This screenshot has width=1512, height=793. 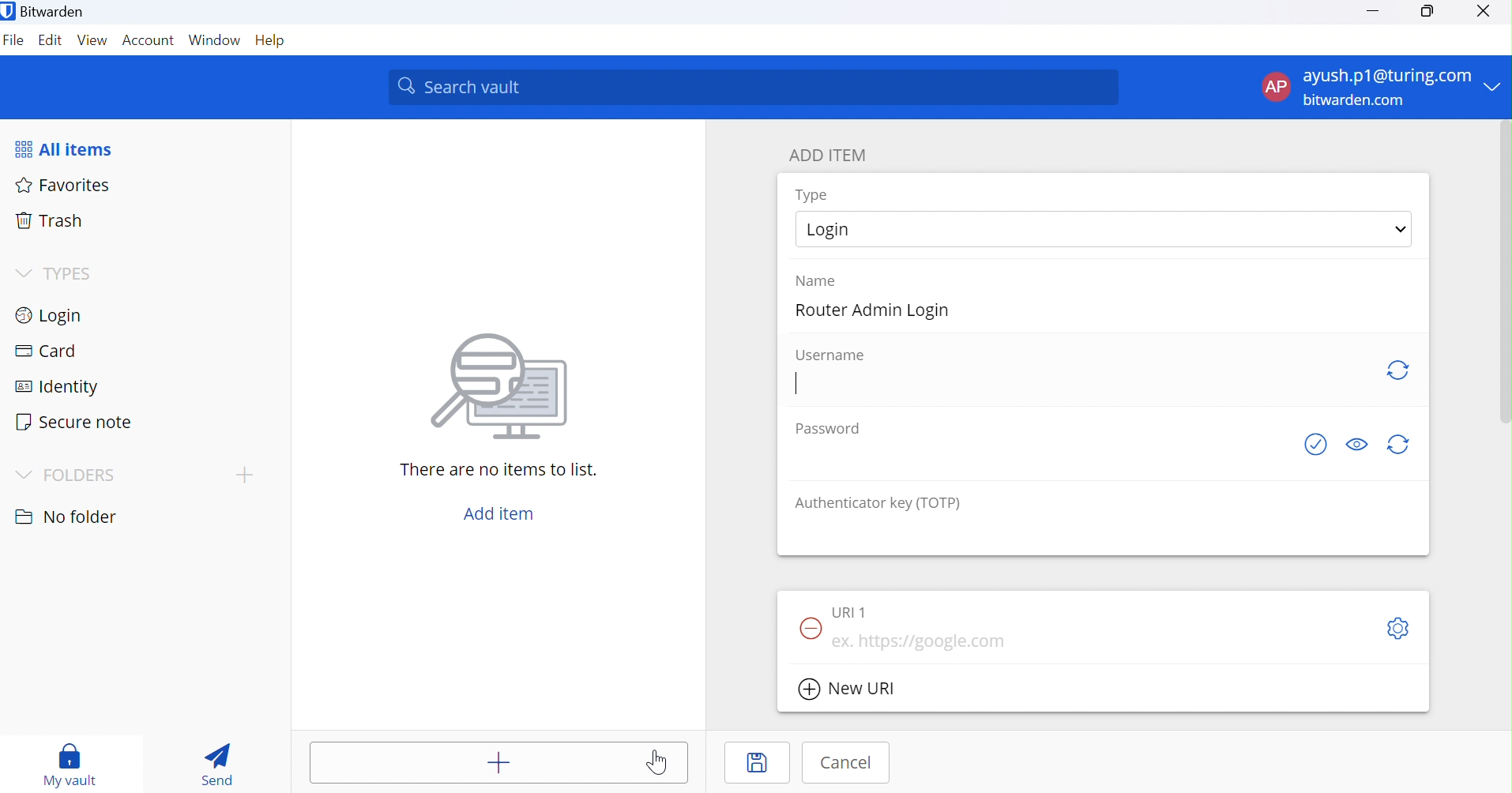 I want to click on New URI, so click(x=851, y=690).